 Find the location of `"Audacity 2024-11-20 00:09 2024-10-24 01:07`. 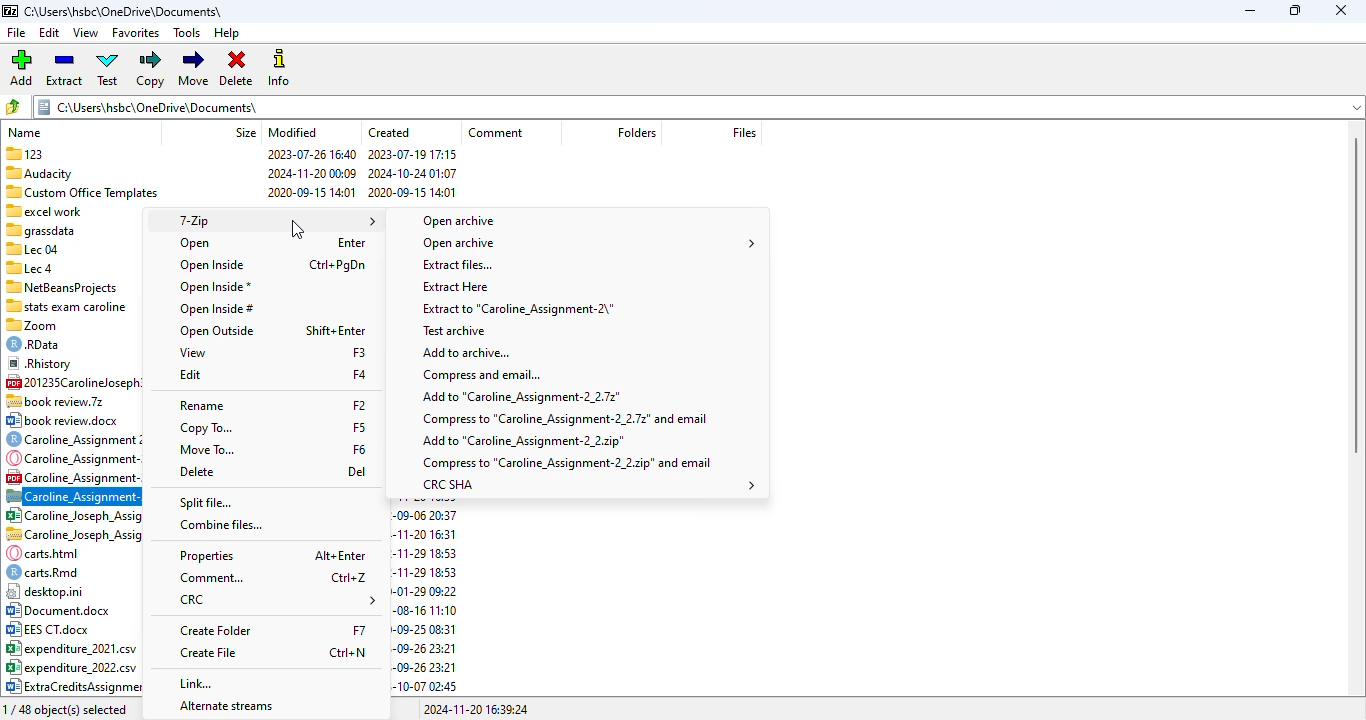

"Audacity 2024-11-20 00:09 2024-10-24 01:07 is located at coordinates (228, 172).